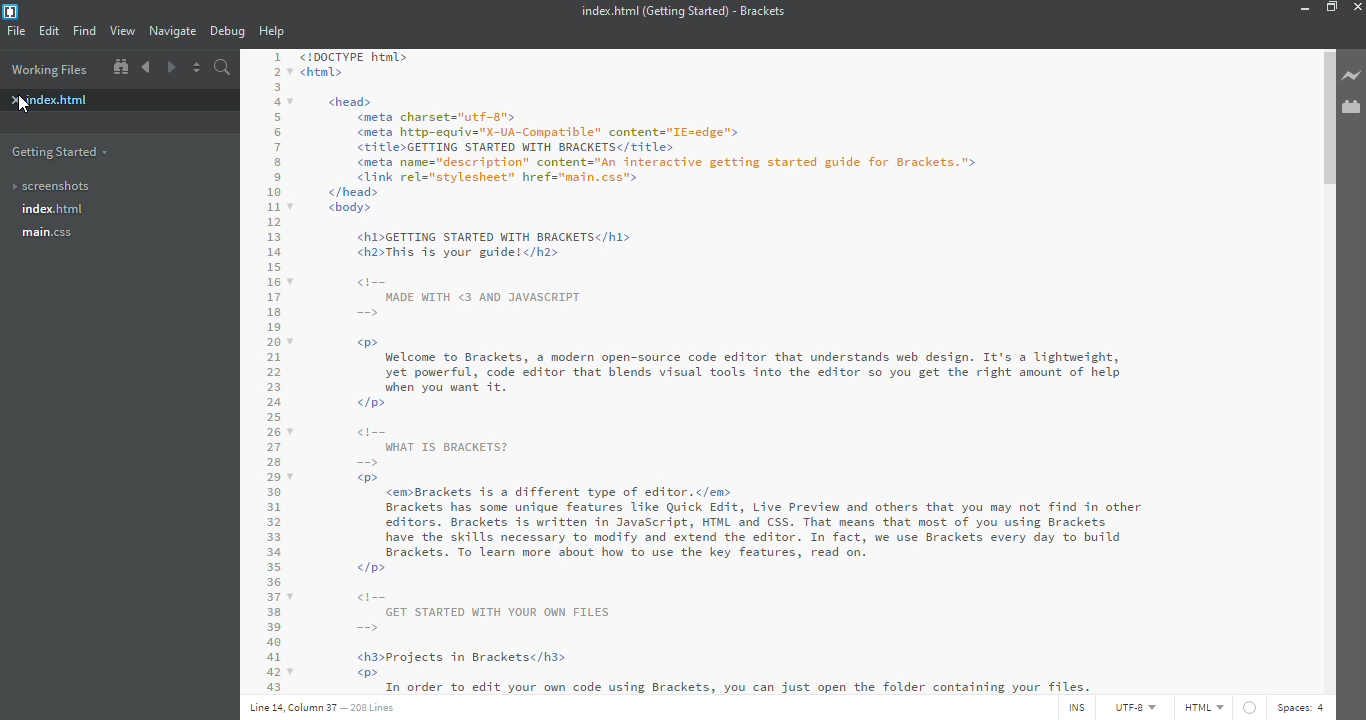 The image size is (1366, 720). Describe the element at coordinates (87, 31) in the screenshot. I see `find` at that location.